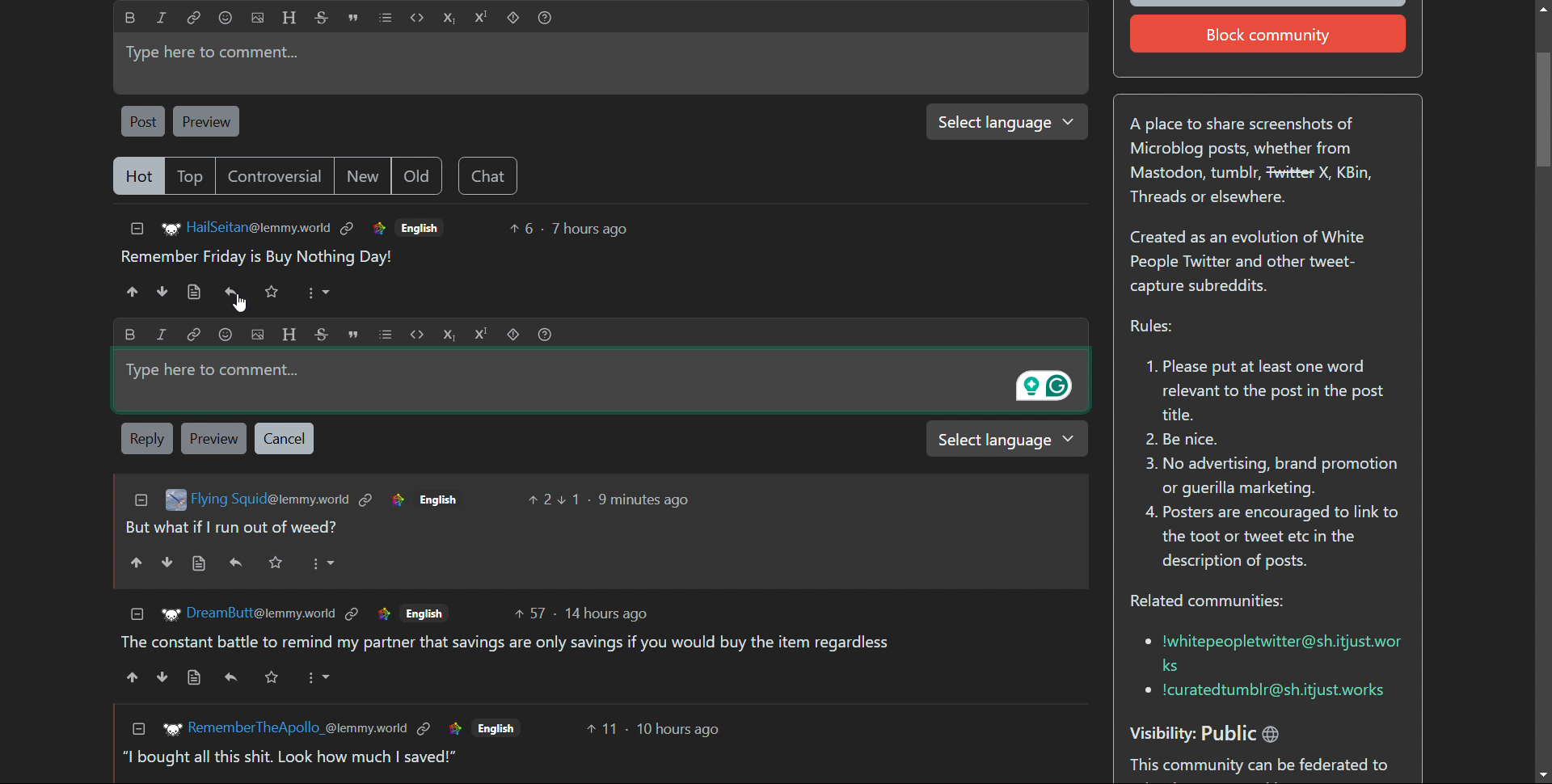 The image size is (1552, 784). Describe the element at coordinates (597, 63) in the screenshot. I see `type here to comment` at that location.